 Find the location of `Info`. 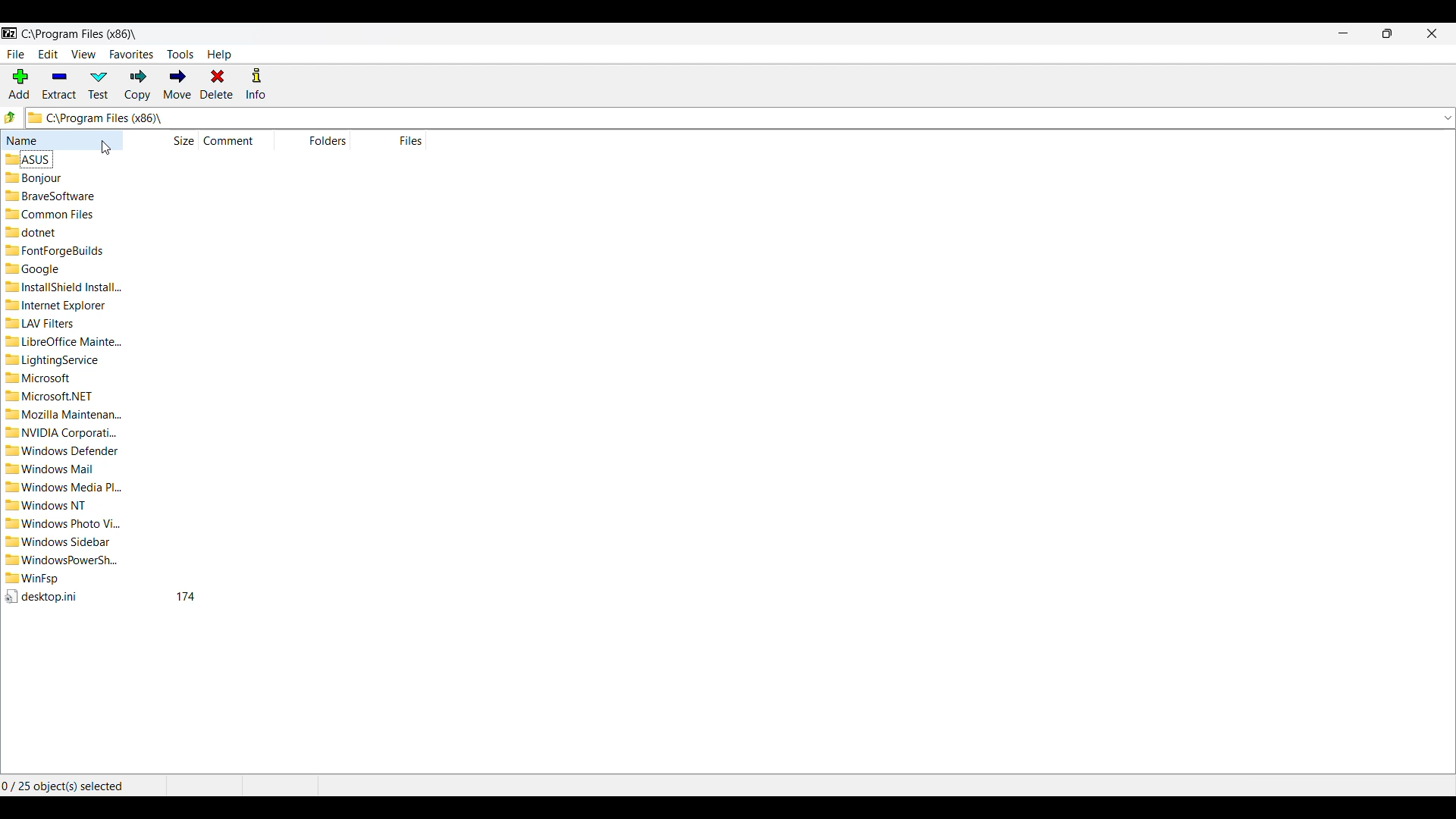

Info is located at coordinates (256, 83).